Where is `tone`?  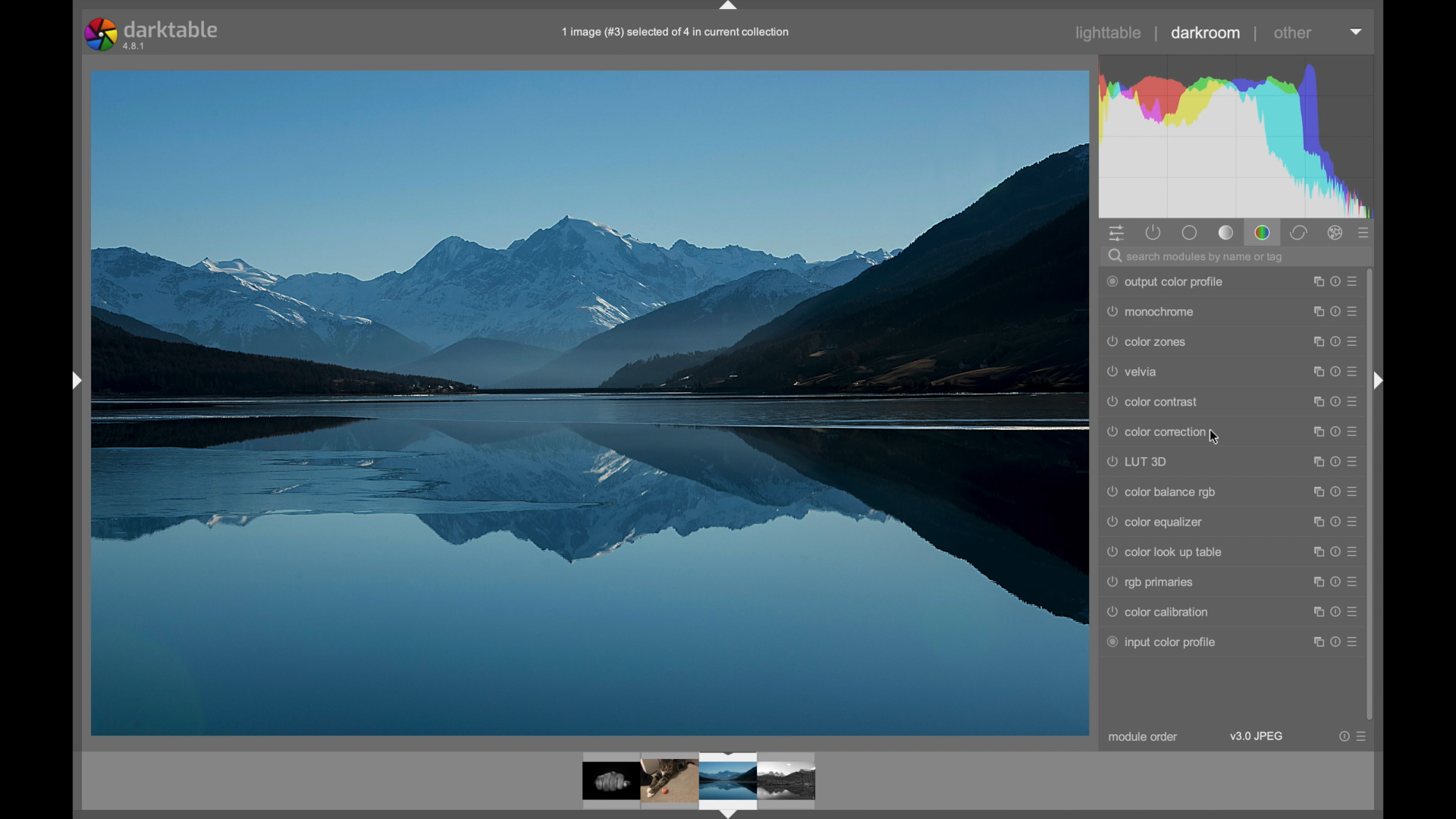
tone is located at coordinates (1227, 232).